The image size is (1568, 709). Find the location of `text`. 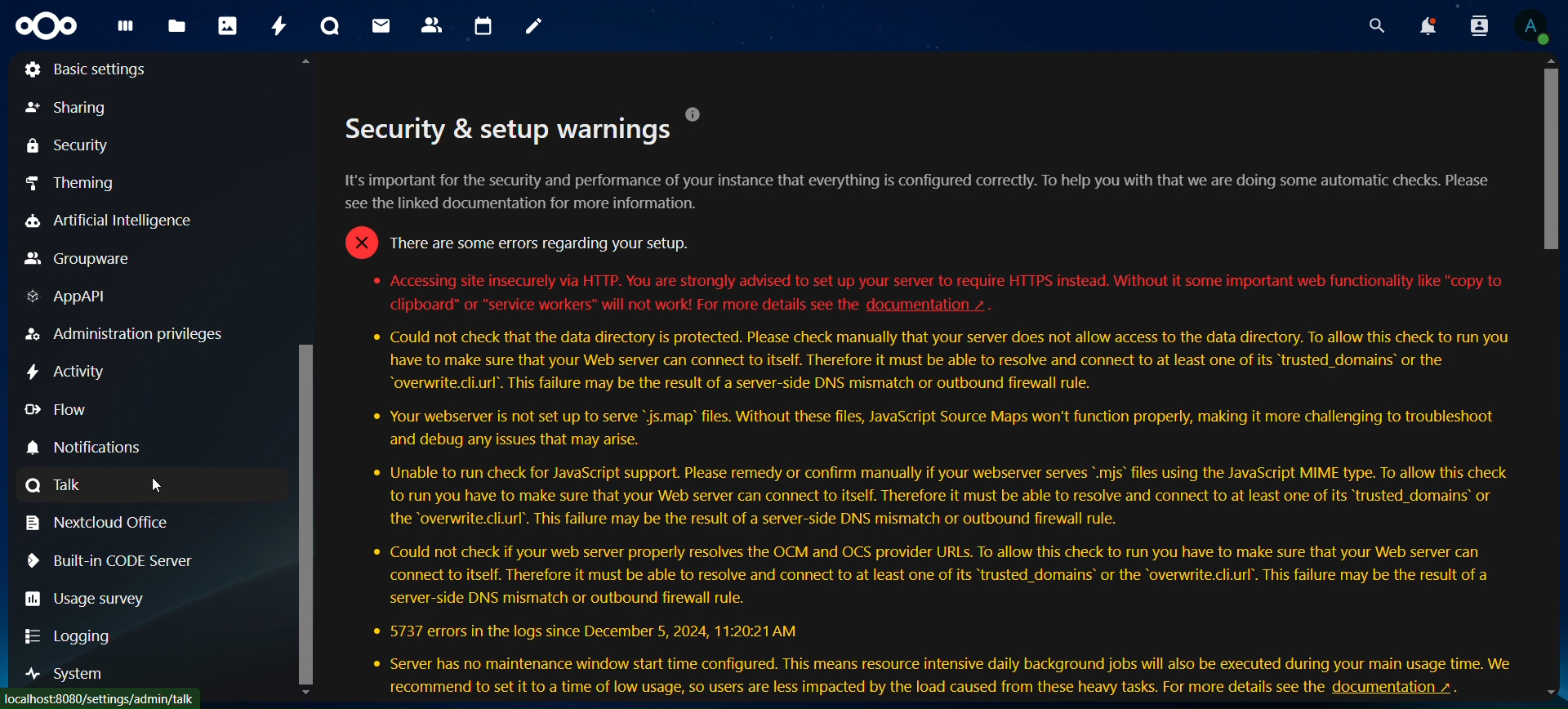

text is located at coordinates (695, 689).